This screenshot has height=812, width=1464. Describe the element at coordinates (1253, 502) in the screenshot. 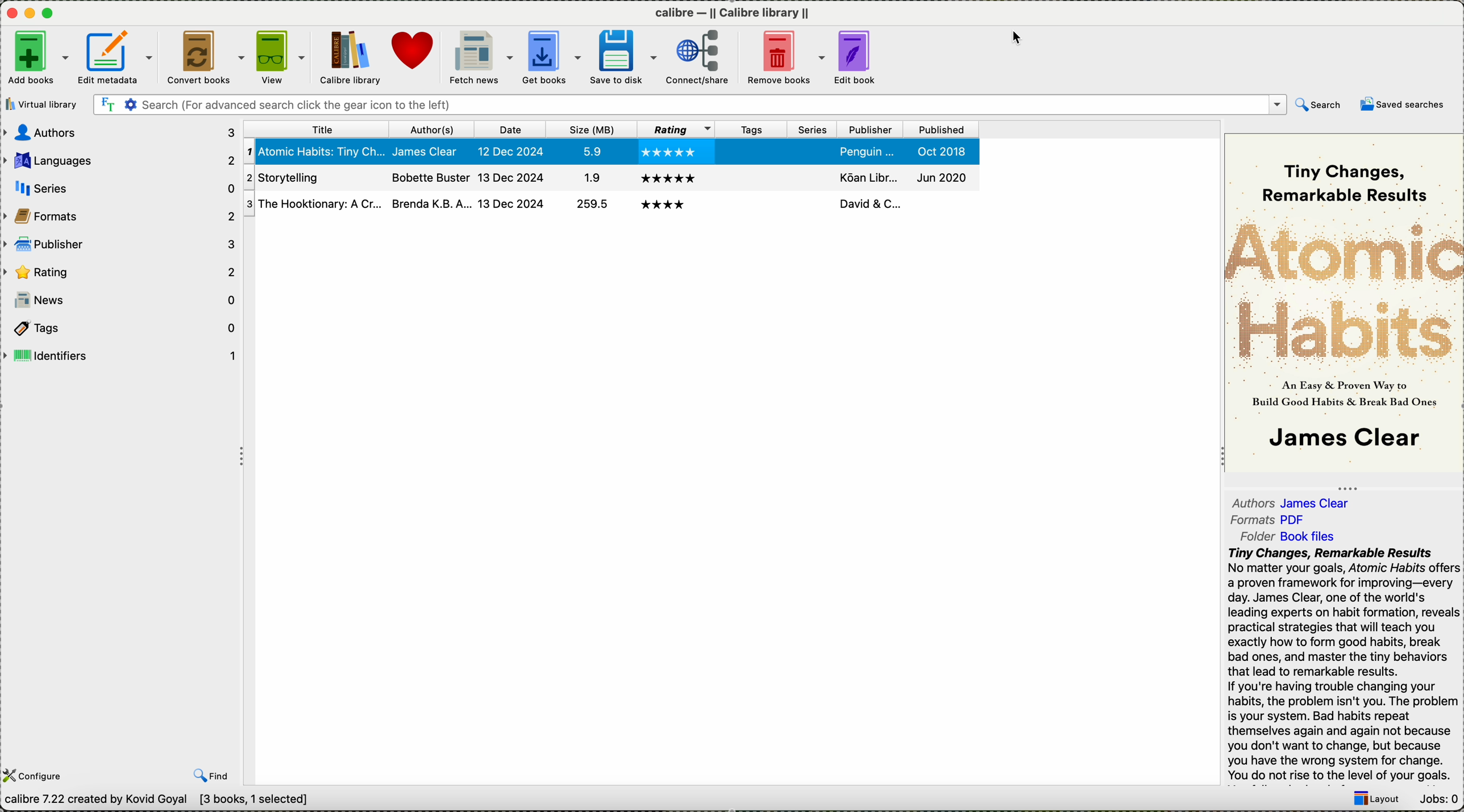

I see `Authors` at that location.